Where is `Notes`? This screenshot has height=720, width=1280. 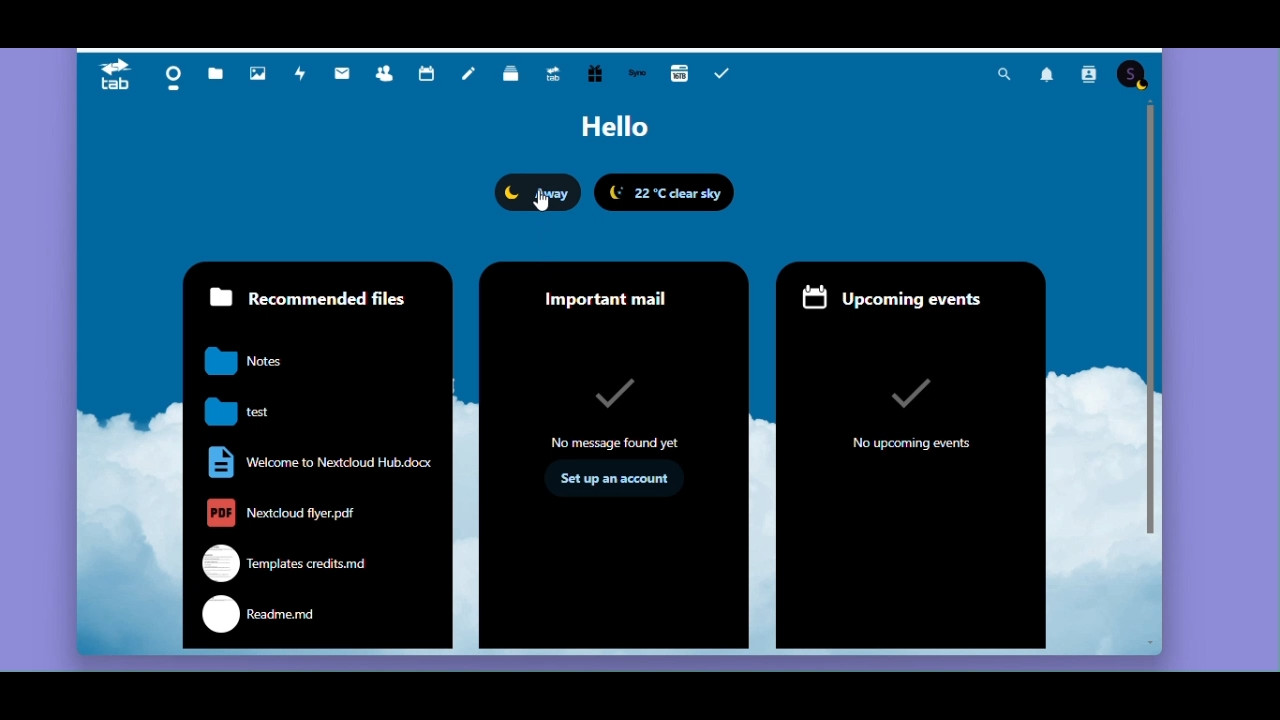 Notes is located at coordinates (470, 77).